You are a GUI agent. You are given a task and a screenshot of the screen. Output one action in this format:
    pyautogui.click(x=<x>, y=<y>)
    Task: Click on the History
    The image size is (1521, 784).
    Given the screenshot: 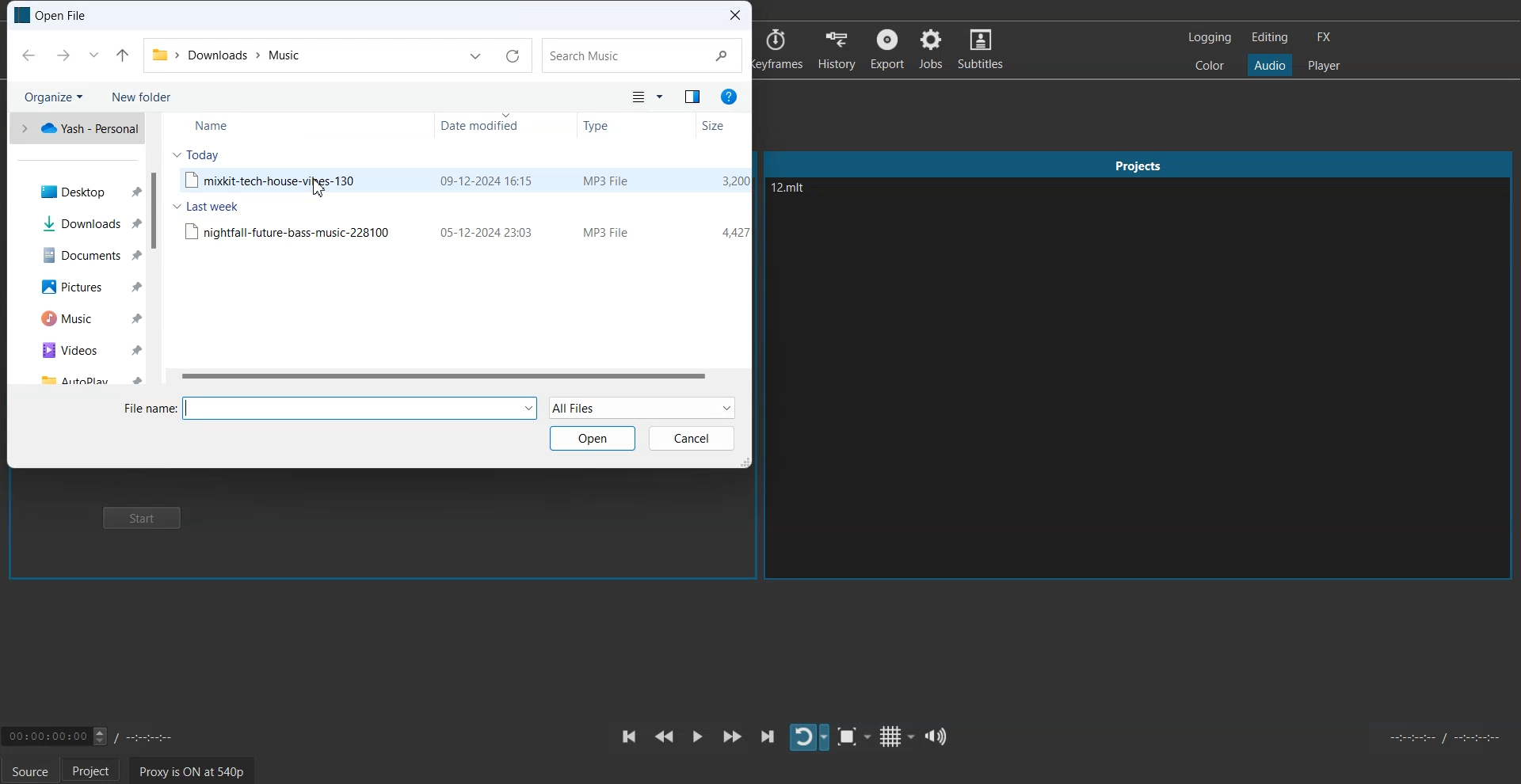 What is the action you would take?
    pyautogui.click(x=839, y=48)
    